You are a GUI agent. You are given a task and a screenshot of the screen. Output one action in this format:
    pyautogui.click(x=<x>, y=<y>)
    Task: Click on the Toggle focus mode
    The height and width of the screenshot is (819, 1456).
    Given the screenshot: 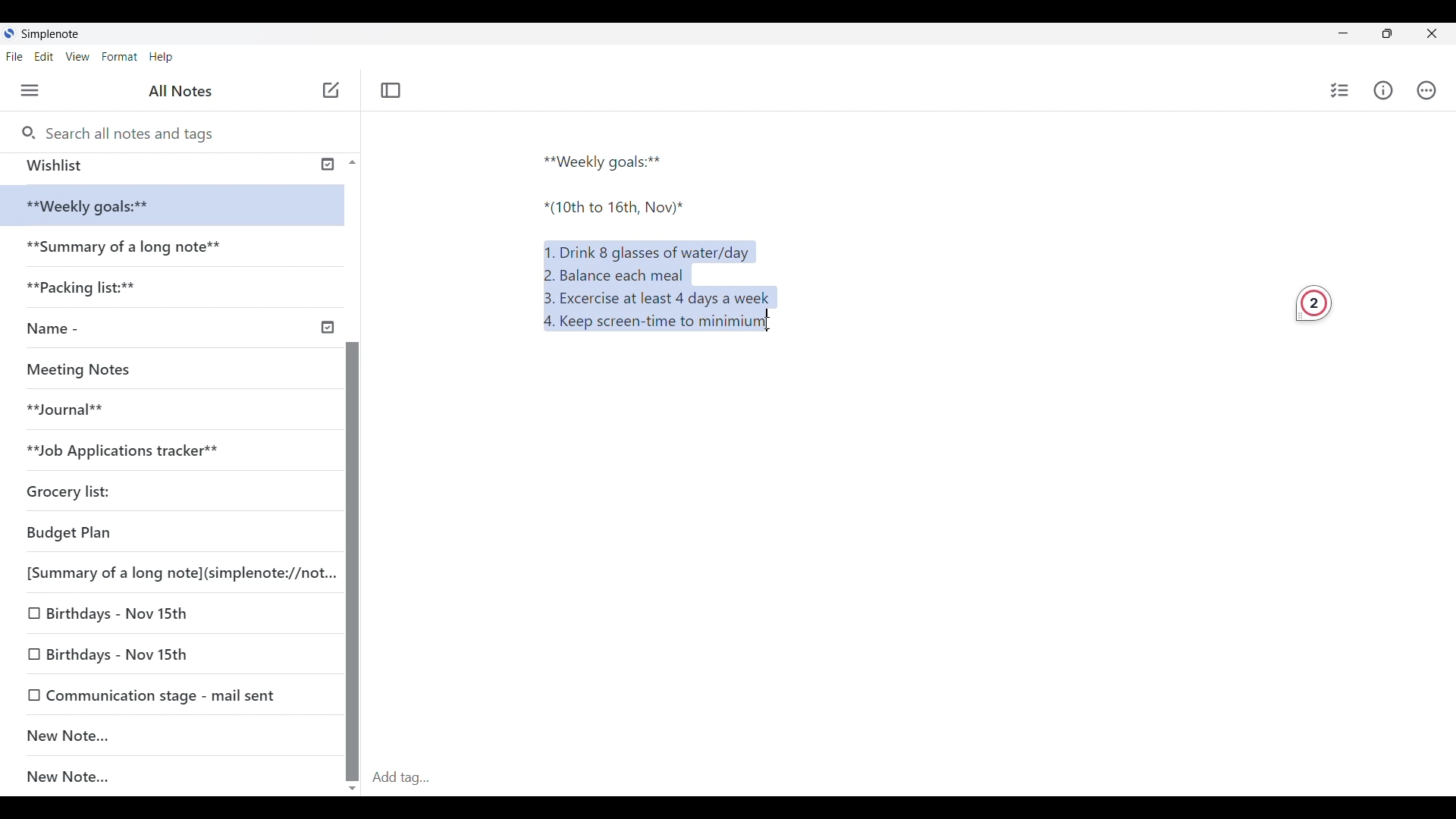 What is the action you would take?
    pyautogui.click(x=393, y=89)
    